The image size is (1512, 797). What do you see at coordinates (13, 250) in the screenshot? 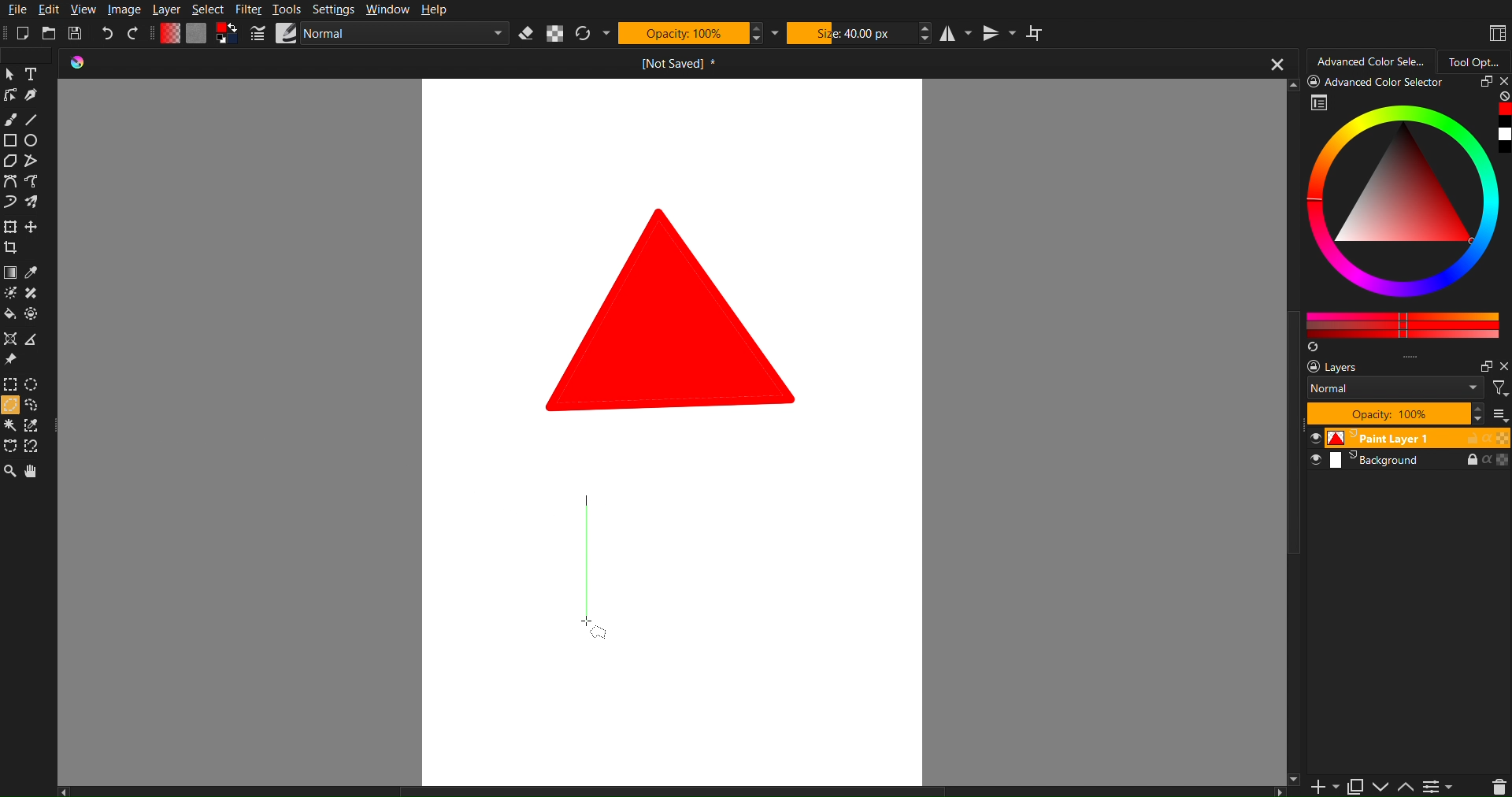
I see `Crop` at bounding box center [13, 250].